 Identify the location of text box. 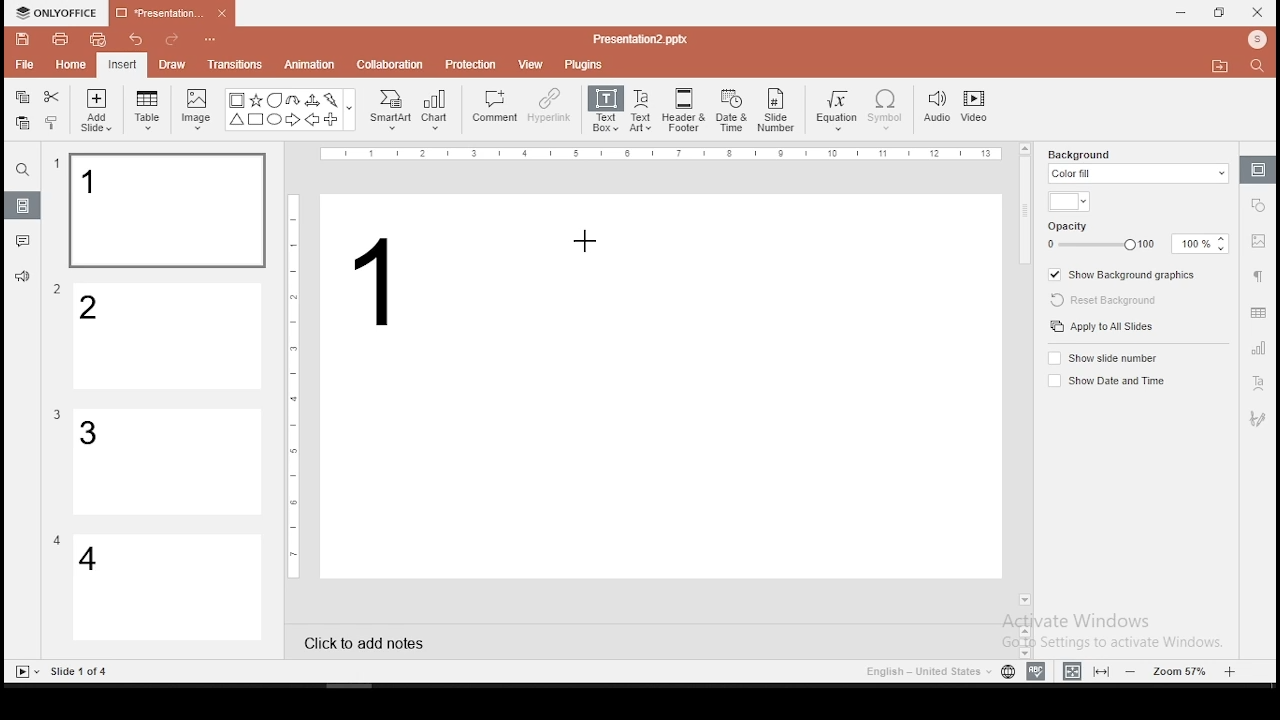
(604, 108).